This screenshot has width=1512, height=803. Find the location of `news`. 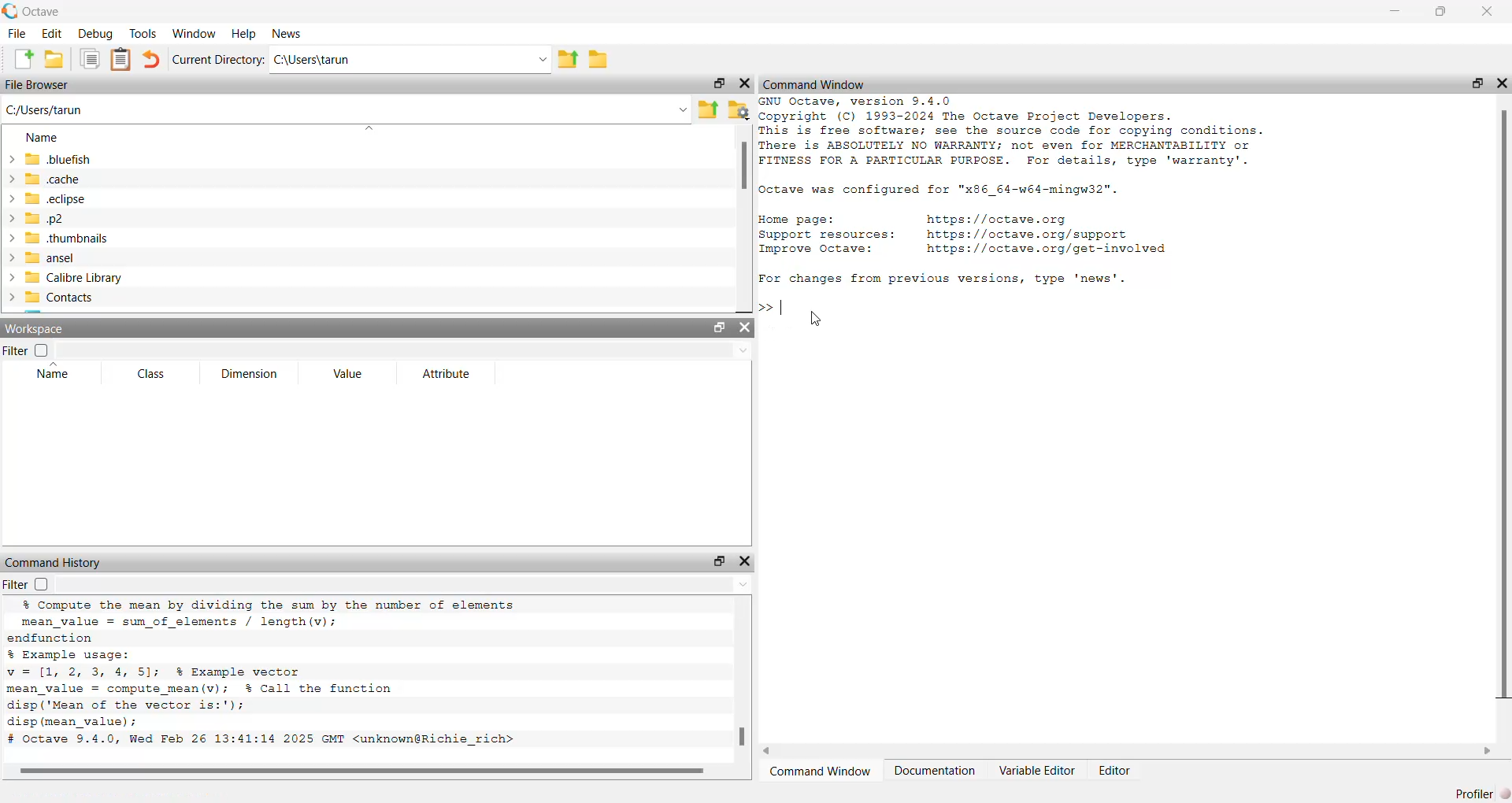

news is located at coordinates (290, 34).